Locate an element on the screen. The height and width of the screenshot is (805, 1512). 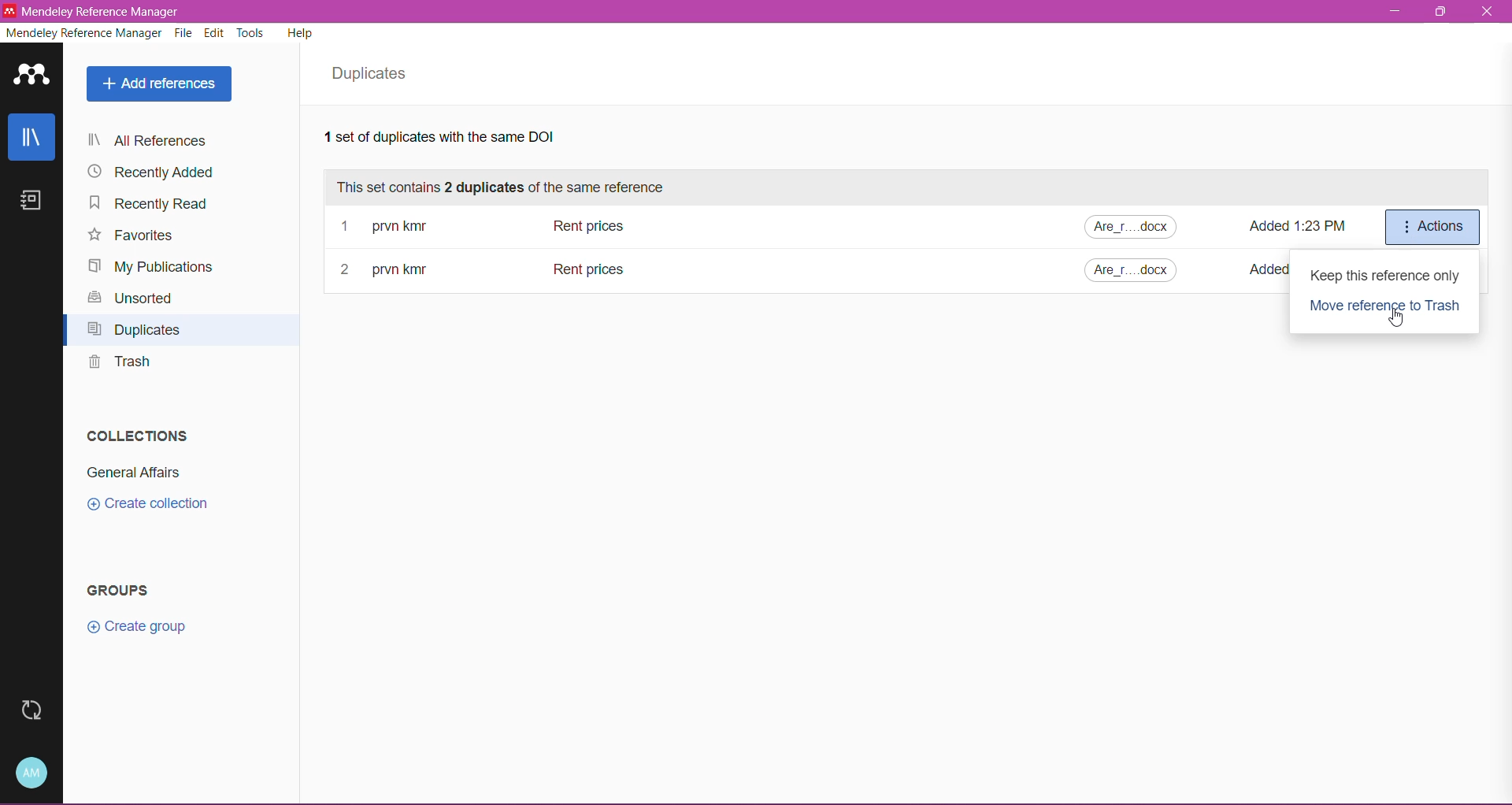
Account and Help is located at coordinates (34, 772).